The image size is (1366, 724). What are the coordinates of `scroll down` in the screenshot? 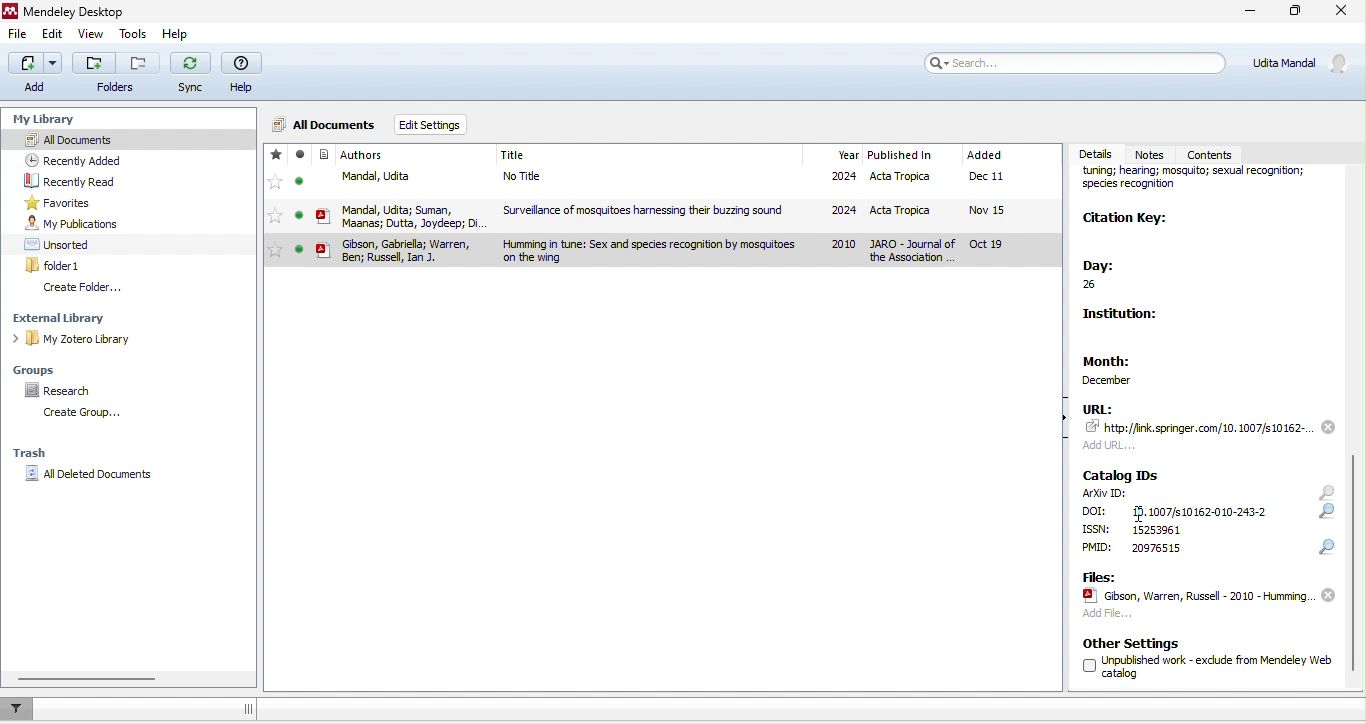 It's located at (1354, 561).